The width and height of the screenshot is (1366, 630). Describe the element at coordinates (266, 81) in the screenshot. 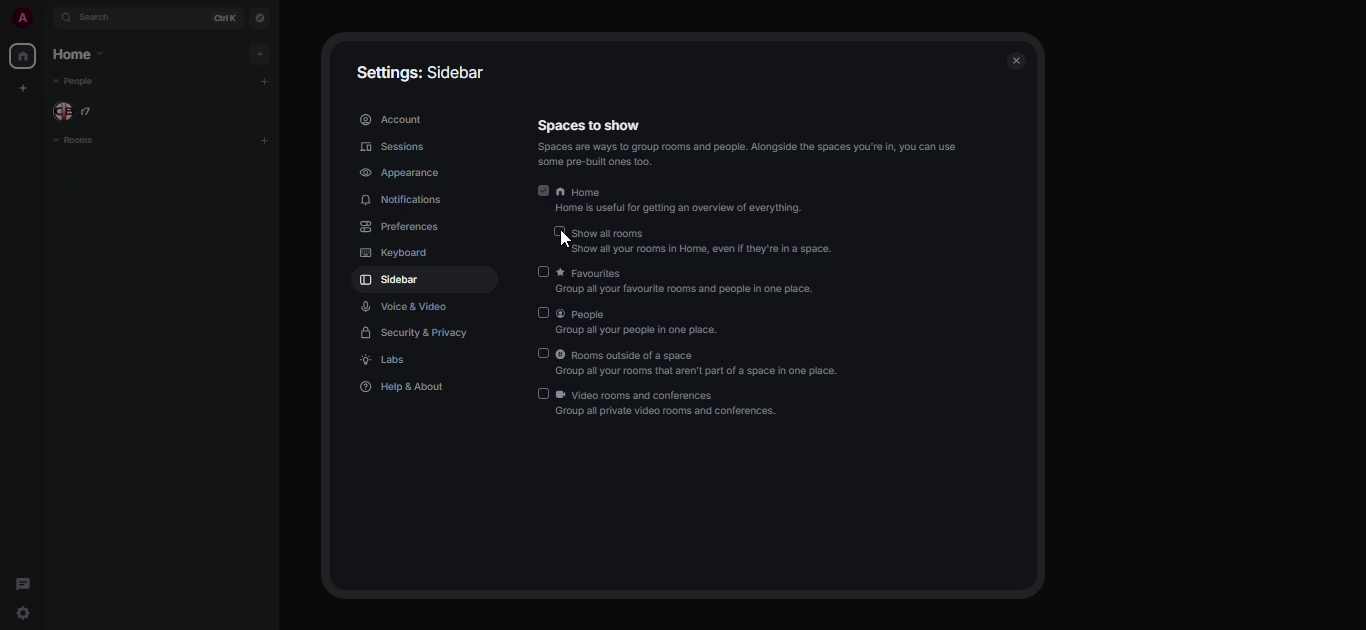

I see `add` at that location.